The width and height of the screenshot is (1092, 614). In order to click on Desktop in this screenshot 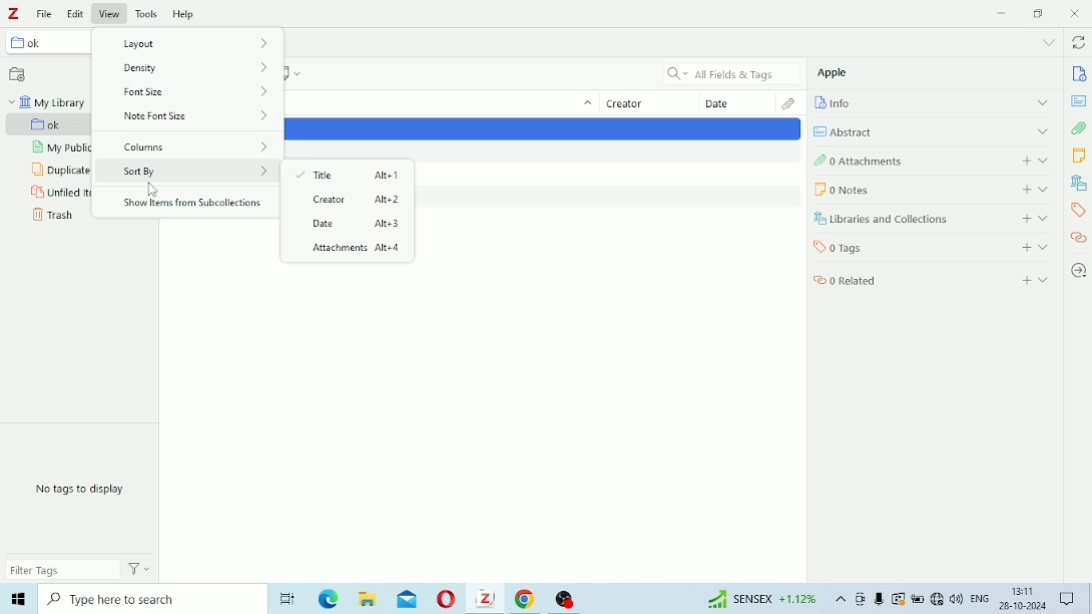, I will do `click(285, 598)`.